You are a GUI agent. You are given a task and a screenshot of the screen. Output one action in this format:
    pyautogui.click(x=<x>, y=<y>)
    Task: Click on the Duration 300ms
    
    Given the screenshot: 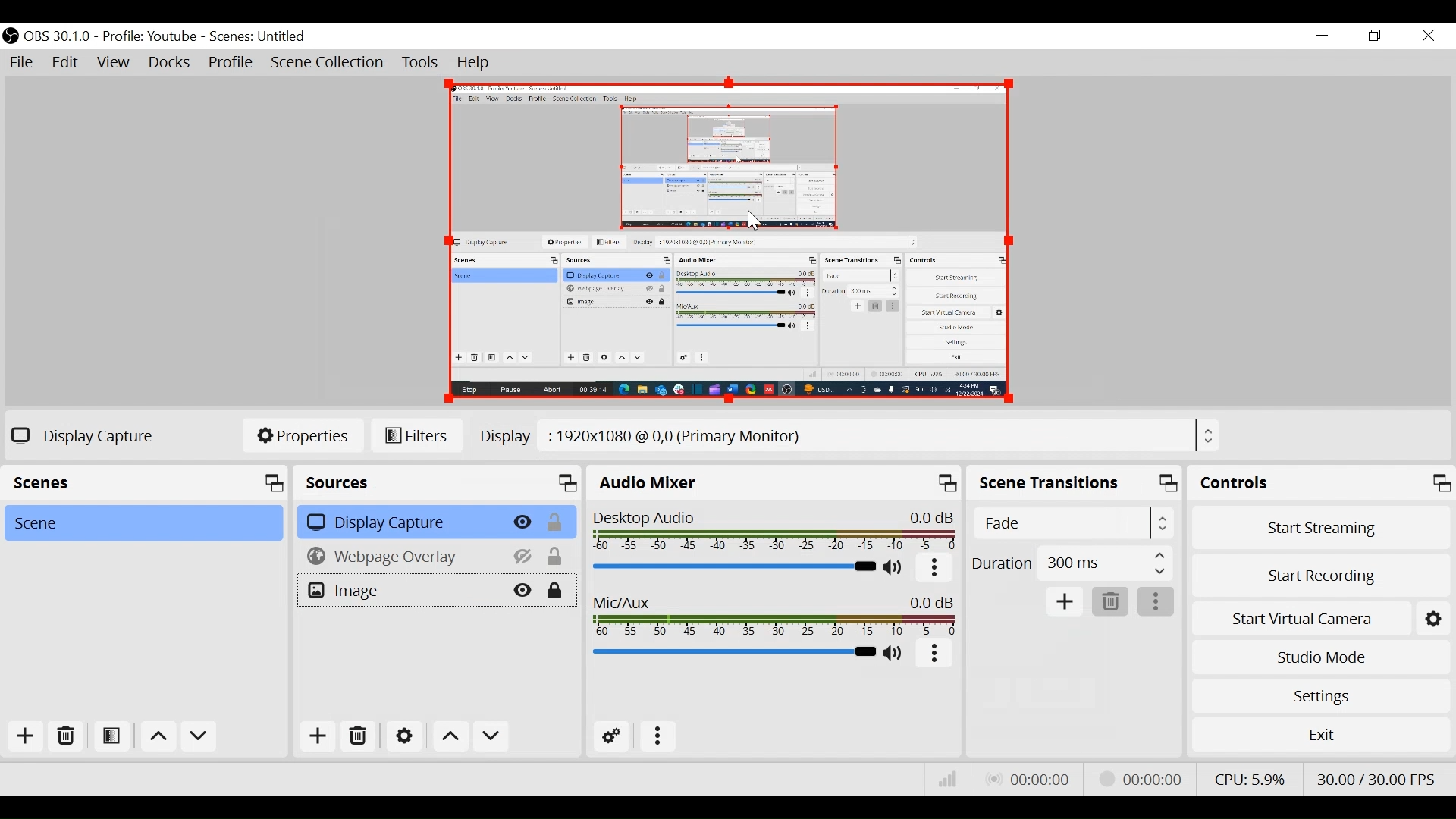 What is the action you would take?
    pyautogui.click(x=1071, y=565)
    